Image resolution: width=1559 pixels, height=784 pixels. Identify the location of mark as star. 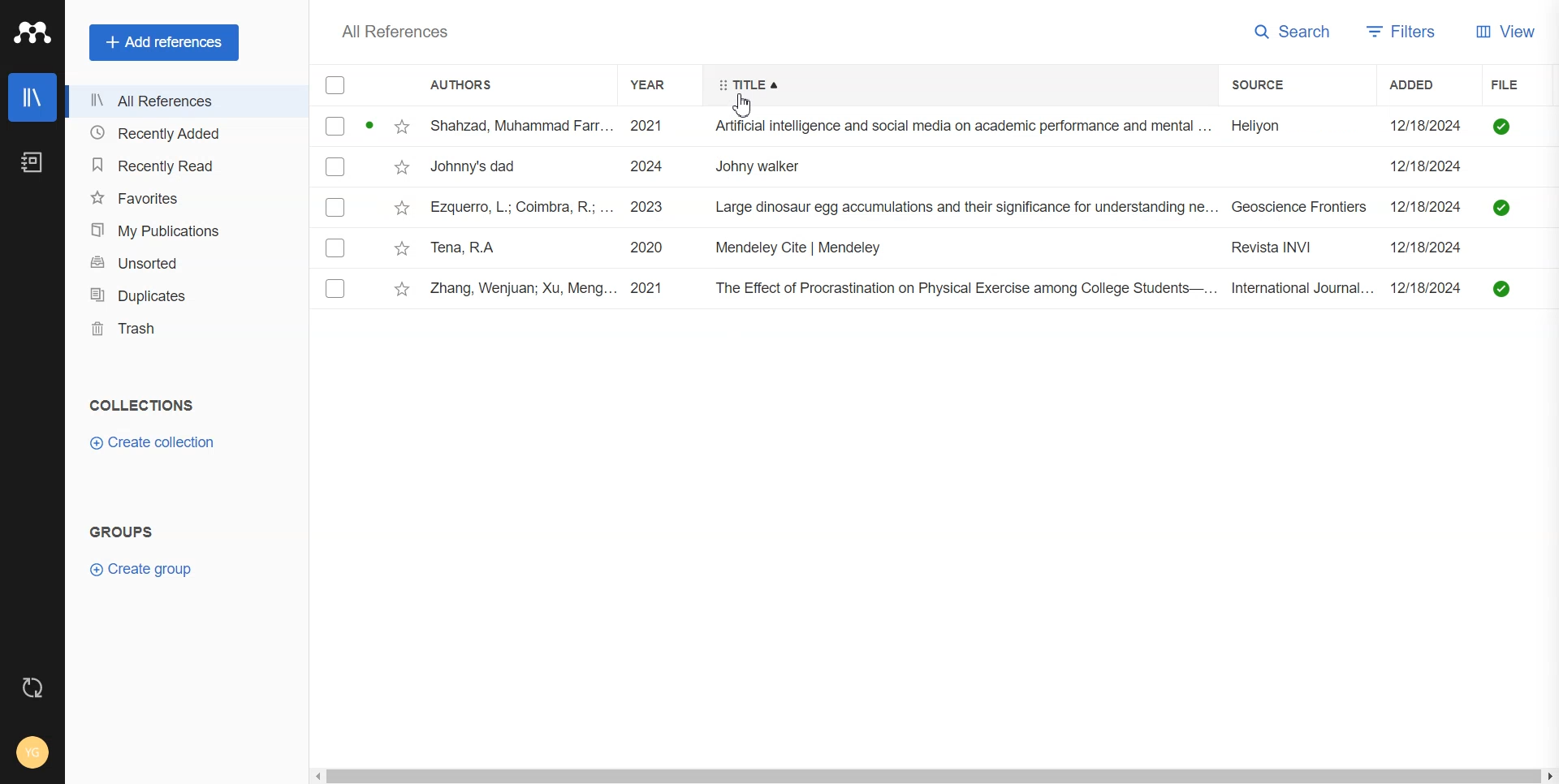
(402, 126).